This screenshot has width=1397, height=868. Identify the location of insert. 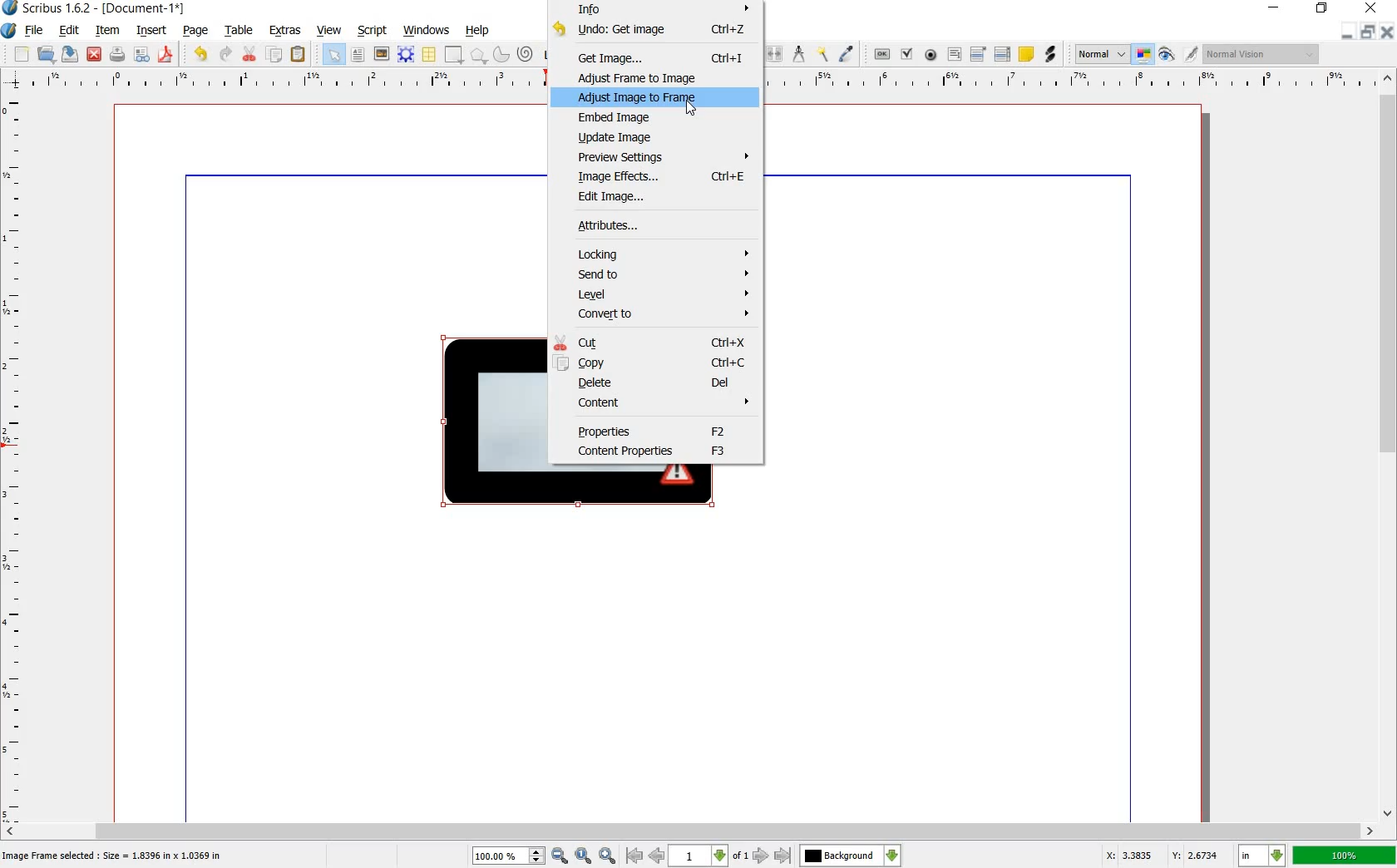
(152, 32).